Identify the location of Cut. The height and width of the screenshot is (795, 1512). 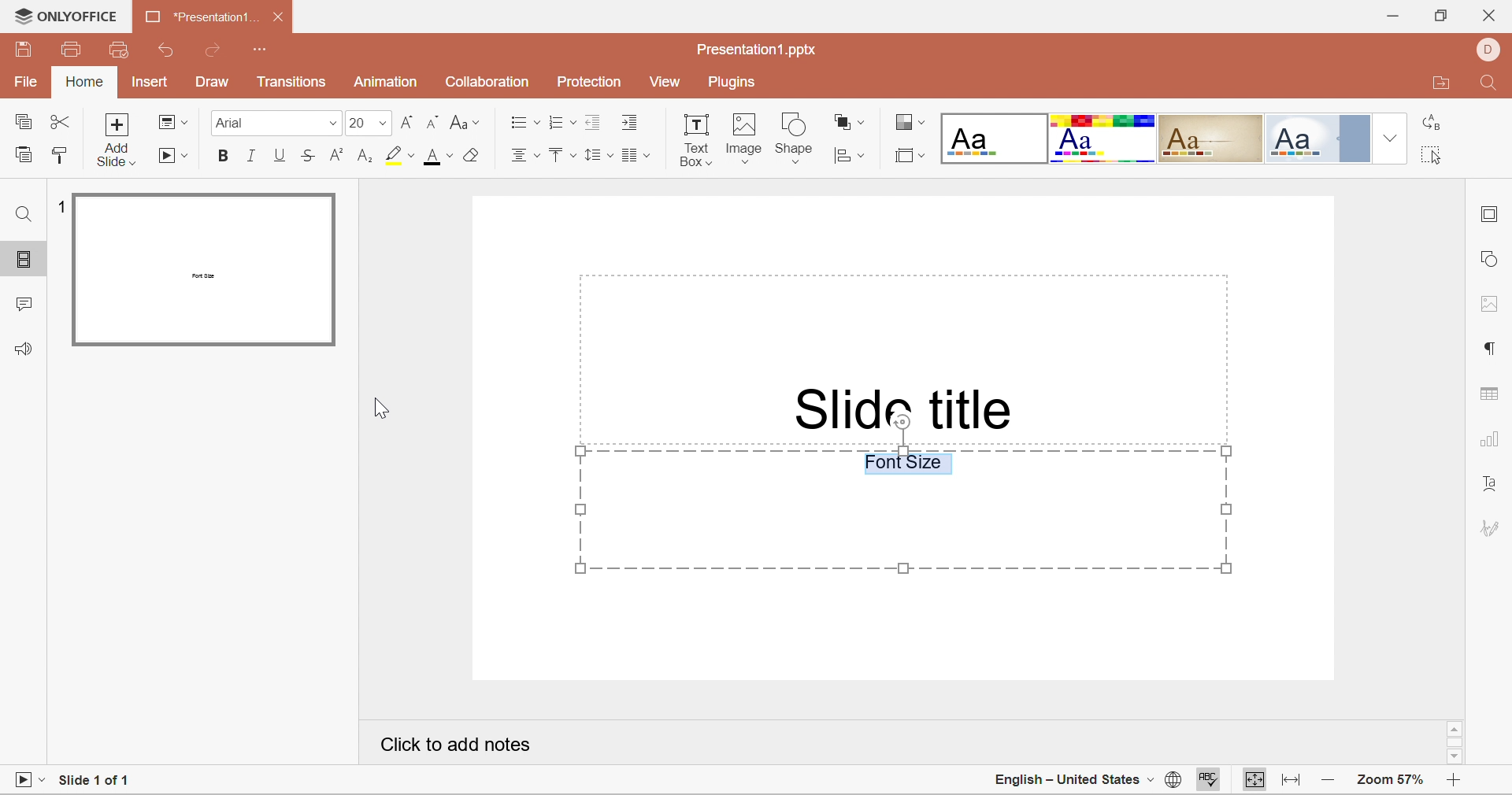
(62, 124).